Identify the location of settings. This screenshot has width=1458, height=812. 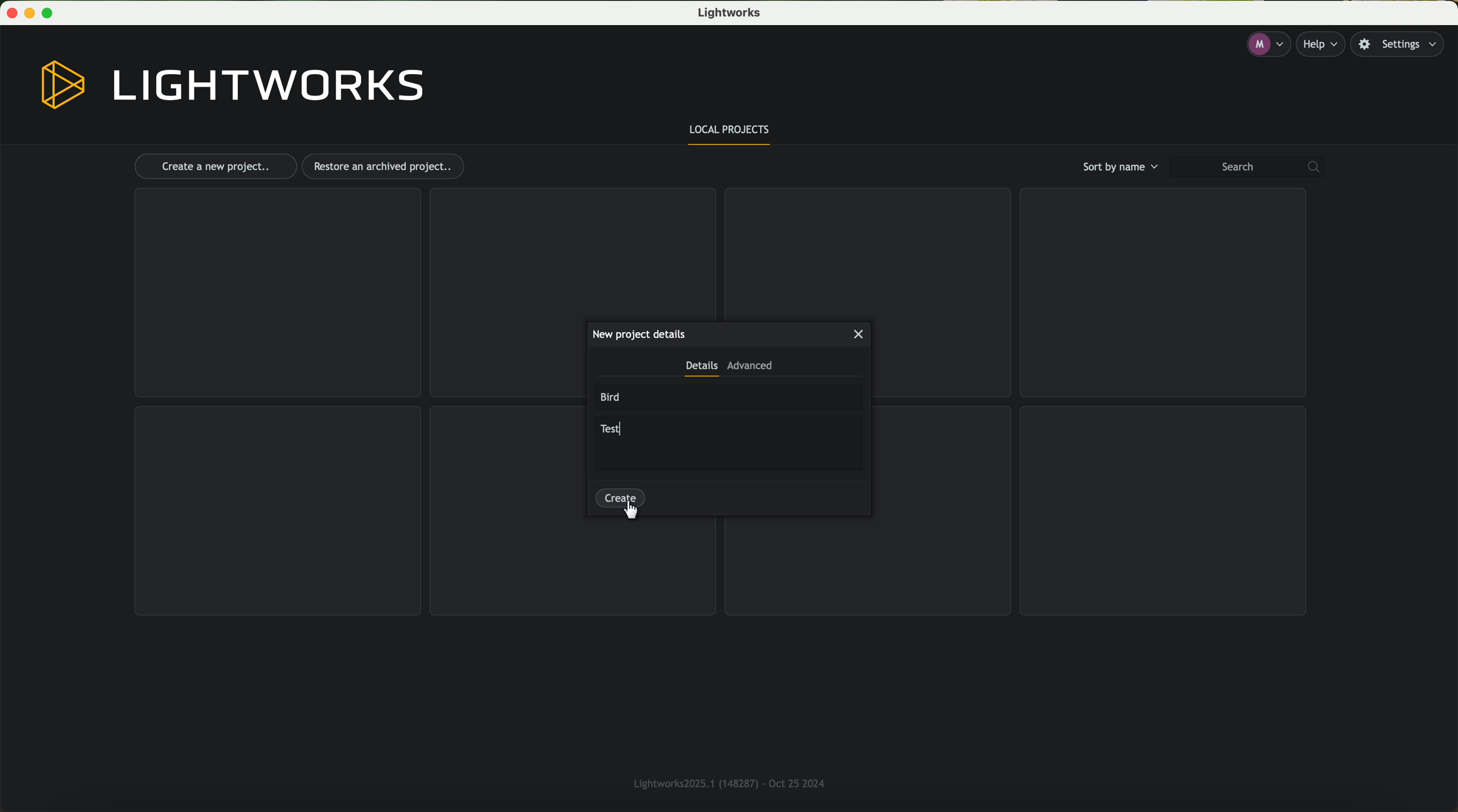
(1403, 45).